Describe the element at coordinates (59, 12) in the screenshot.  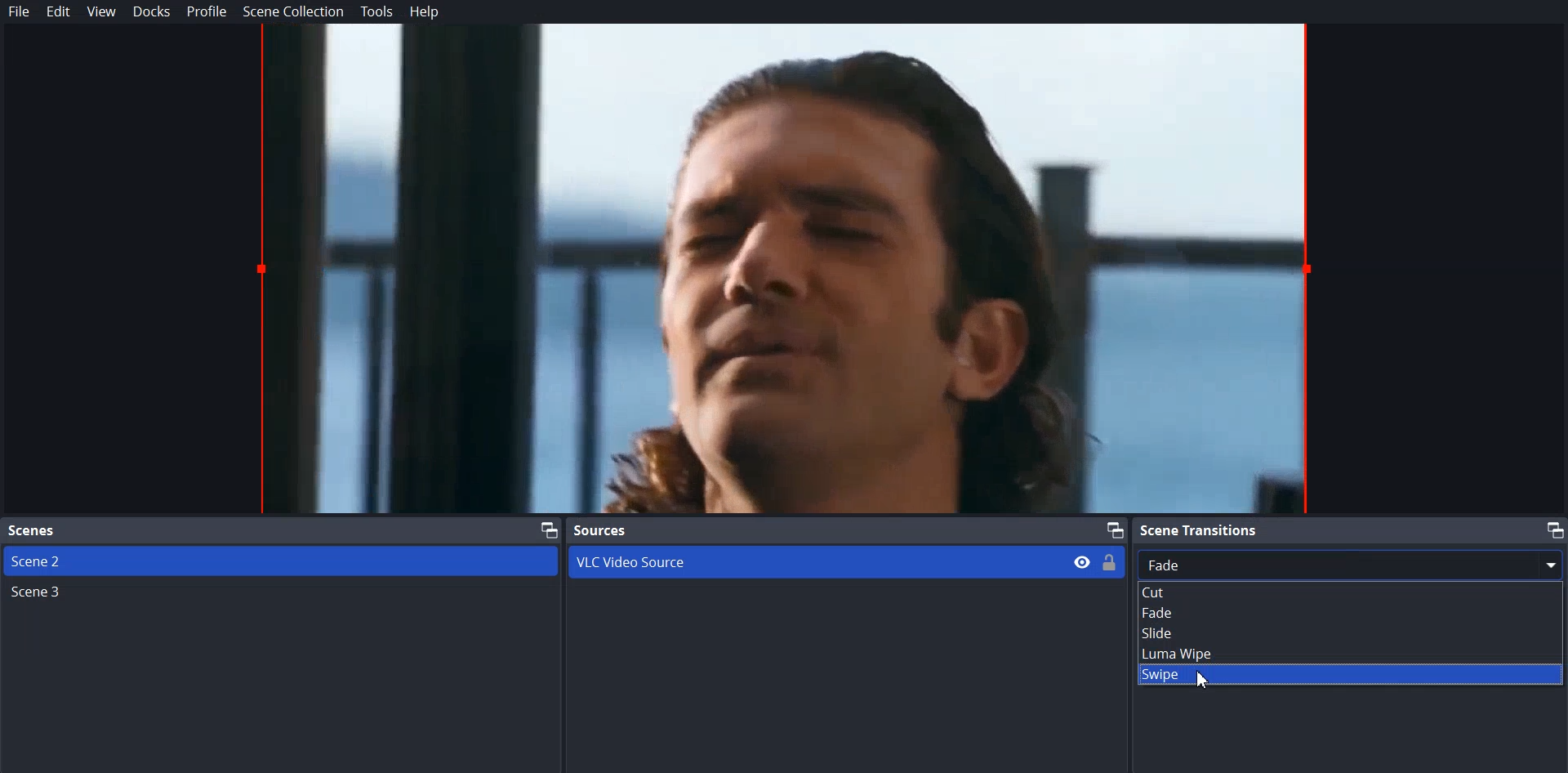
I see `Edit` at that location.